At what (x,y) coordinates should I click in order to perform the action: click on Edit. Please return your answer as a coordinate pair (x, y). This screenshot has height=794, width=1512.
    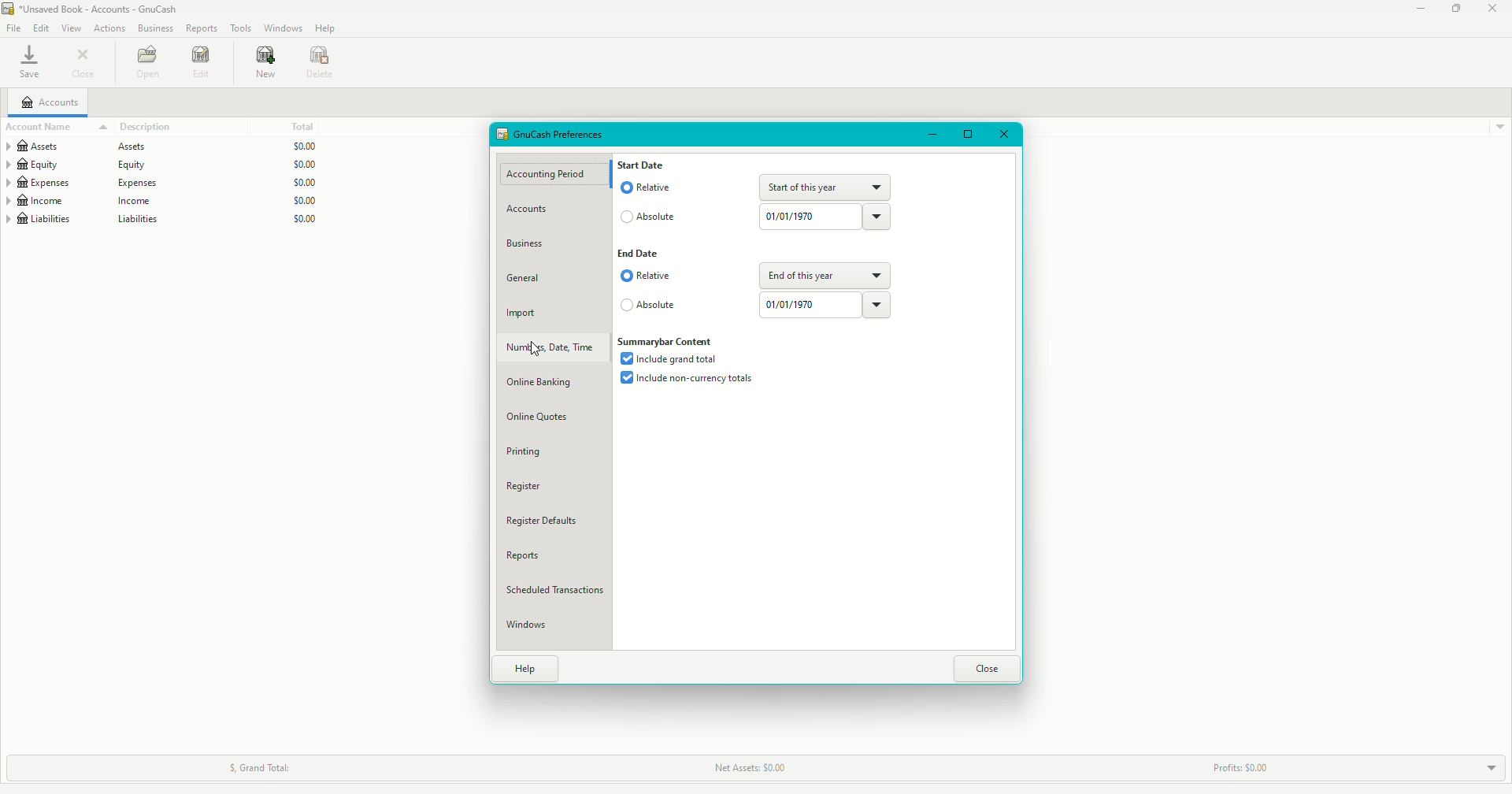
    Looking at the image, I should click on (202, 63).